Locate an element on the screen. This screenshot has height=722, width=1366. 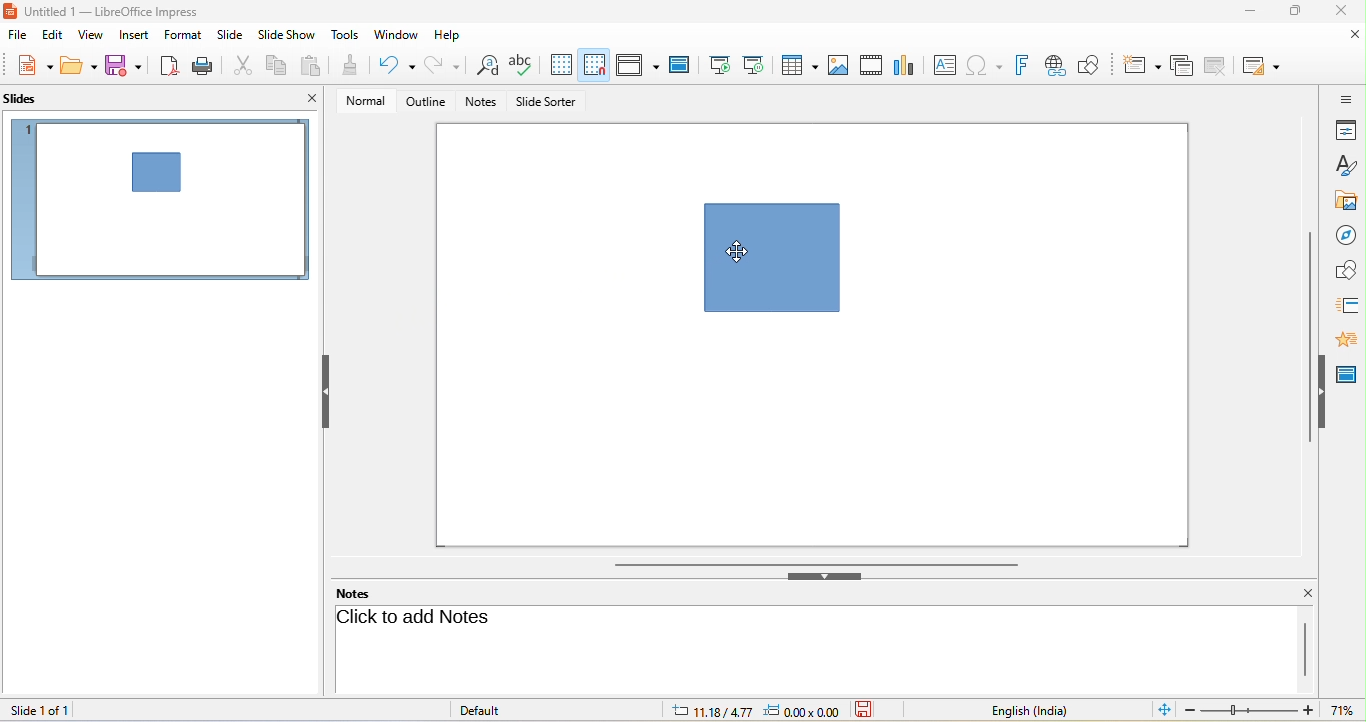
horizontal scroll bar is located at coordinates (817, 564).